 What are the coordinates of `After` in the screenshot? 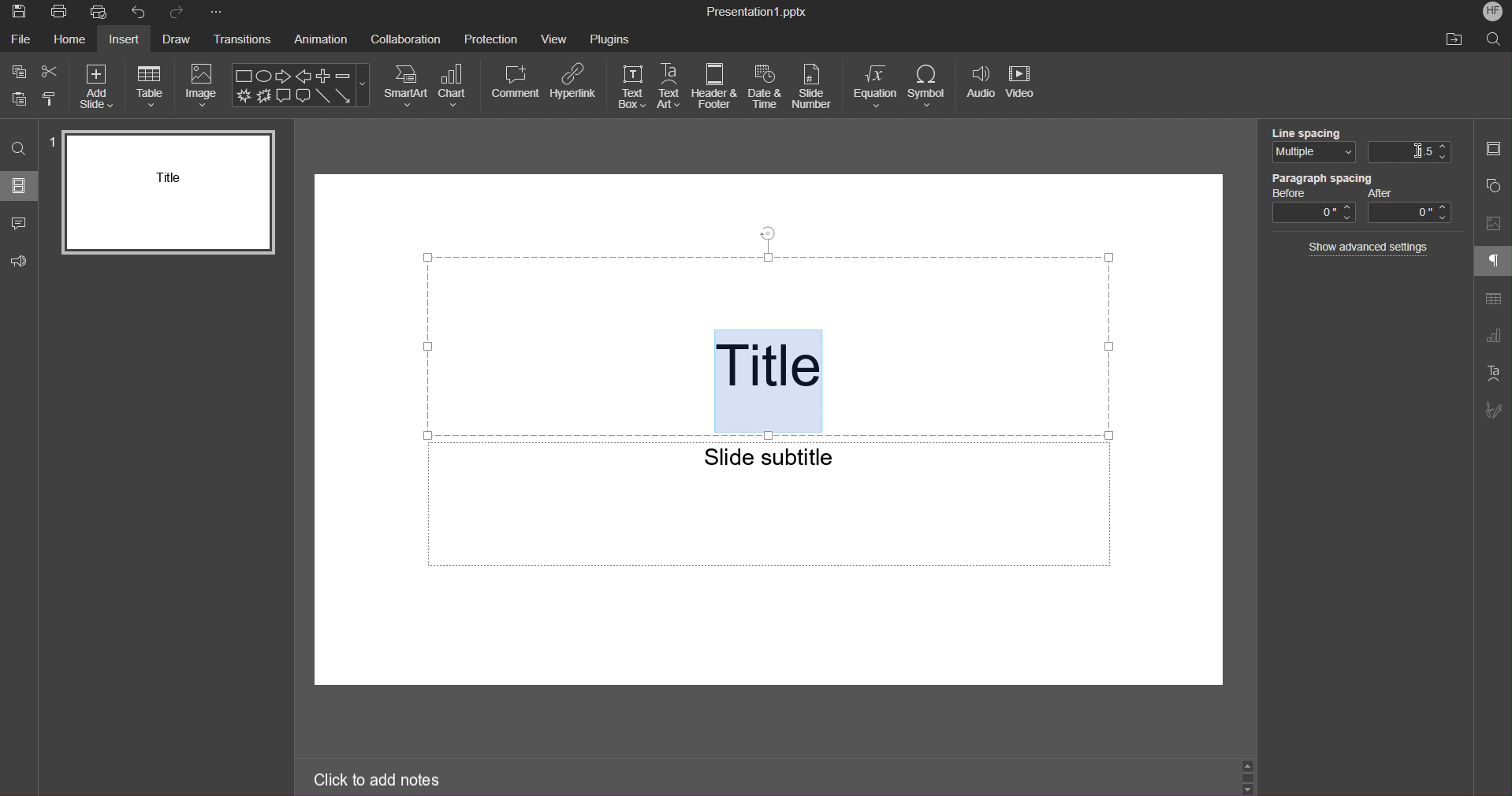 It's located at (1411, 206).